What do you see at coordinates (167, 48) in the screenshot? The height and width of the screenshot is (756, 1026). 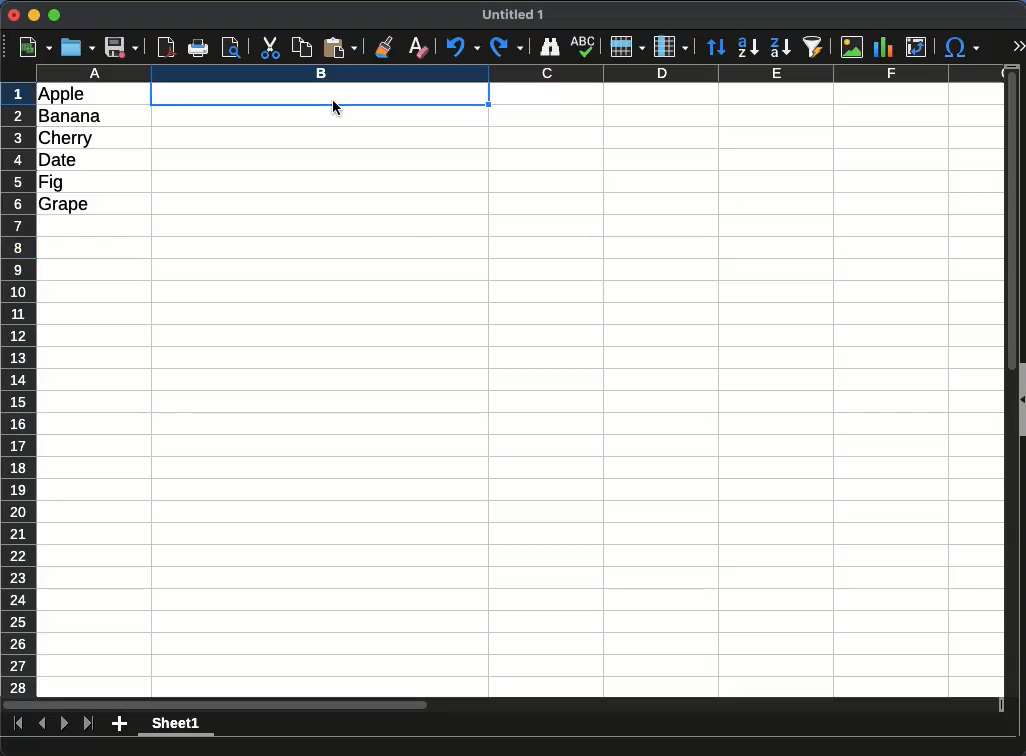 I see `pdf viewer` at bounding box center [167, 48].